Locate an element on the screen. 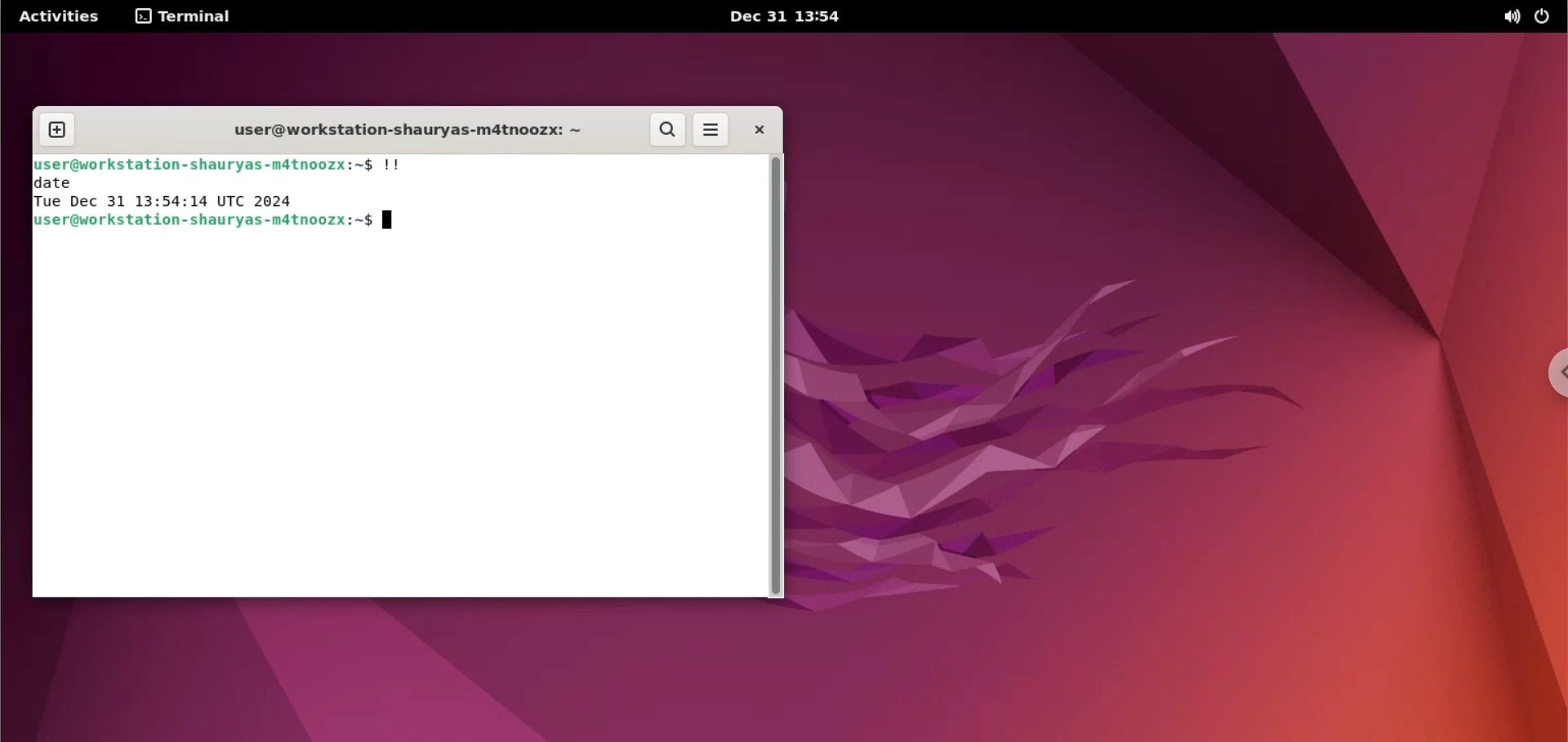 The width and height of the screenshot is (1568, 742). power options is located at coordinates (1546, 16).